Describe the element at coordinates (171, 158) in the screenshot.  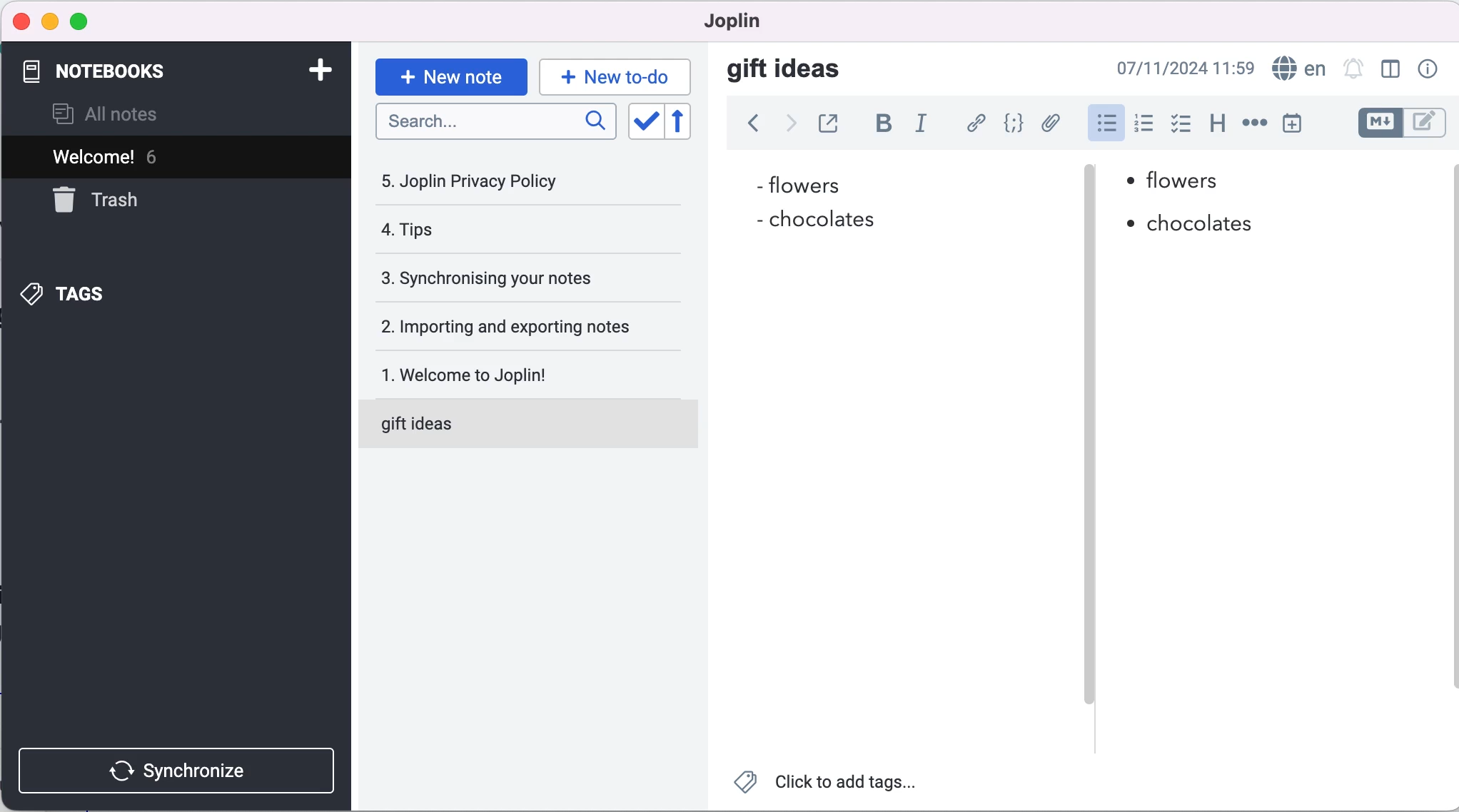
I see `welcome! 6` at that location.